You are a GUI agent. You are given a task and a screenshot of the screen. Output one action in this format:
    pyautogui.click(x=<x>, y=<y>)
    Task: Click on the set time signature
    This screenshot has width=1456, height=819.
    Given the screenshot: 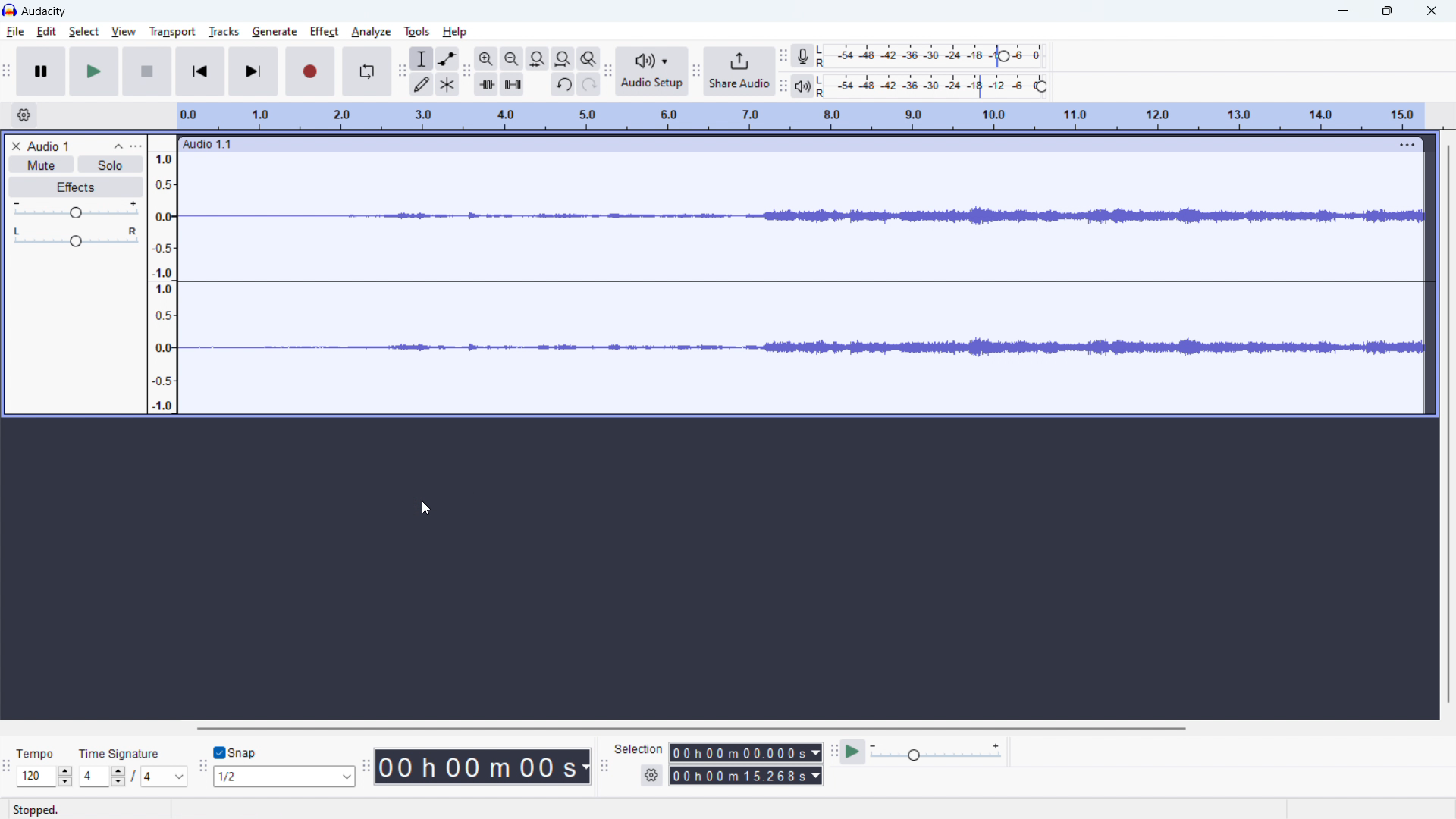 What is the action you would take?
    pyautogui.click(x=133, y=777)
    